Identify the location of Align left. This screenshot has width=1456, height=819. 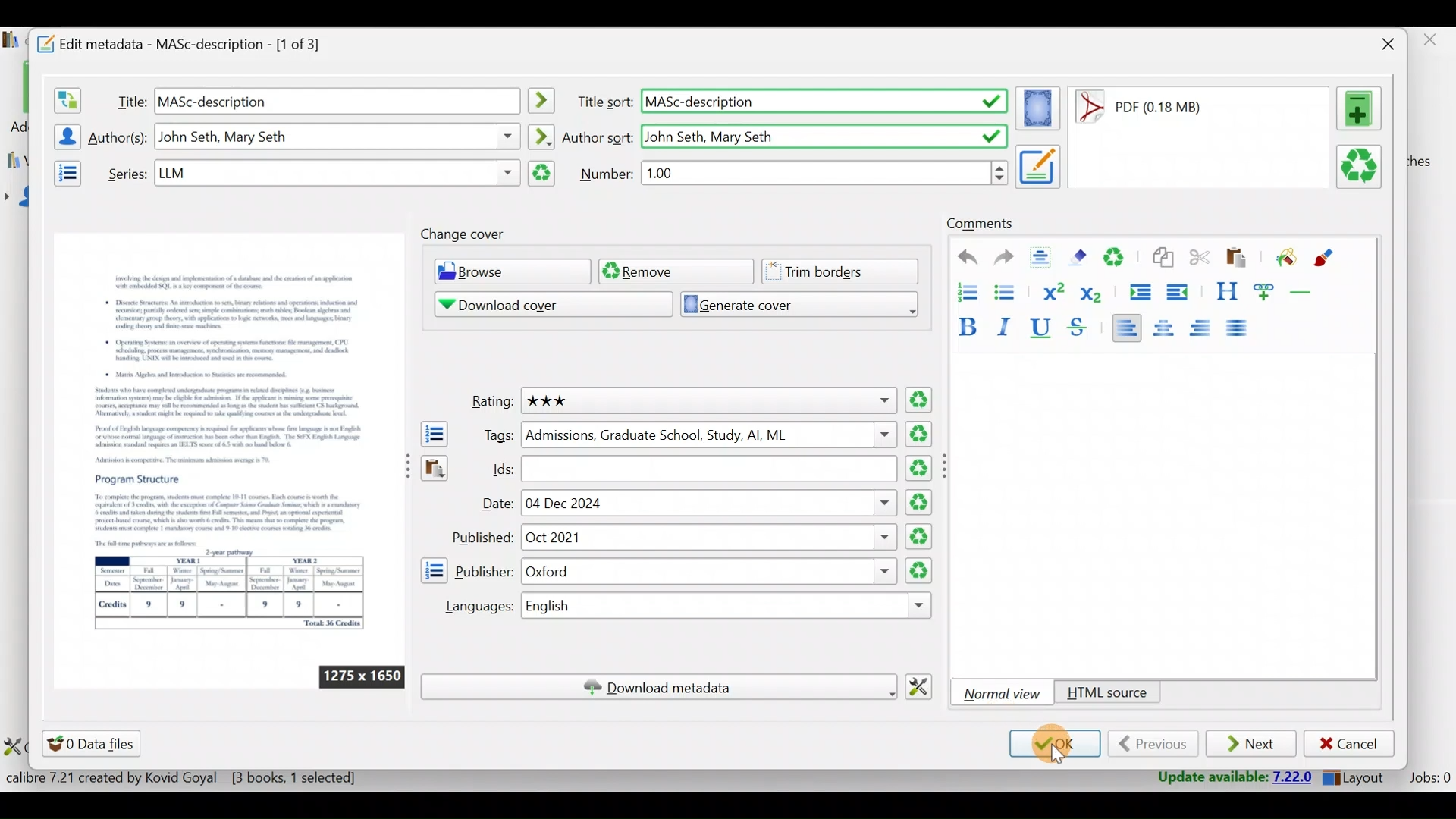
(1126, 327).